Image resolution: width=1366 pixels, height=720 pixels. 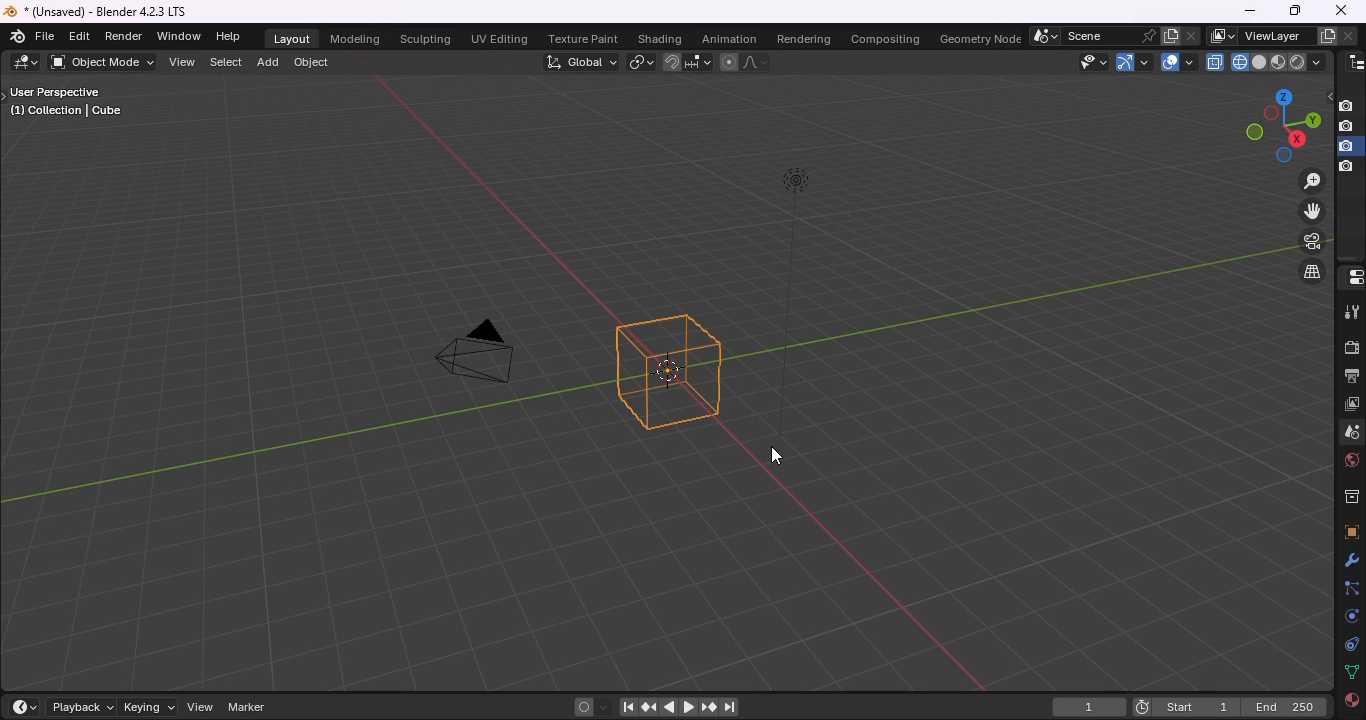 What do you see at coordinates (153, 708) in the screenshot?
I see `keying` at bounding box center [153, 708].